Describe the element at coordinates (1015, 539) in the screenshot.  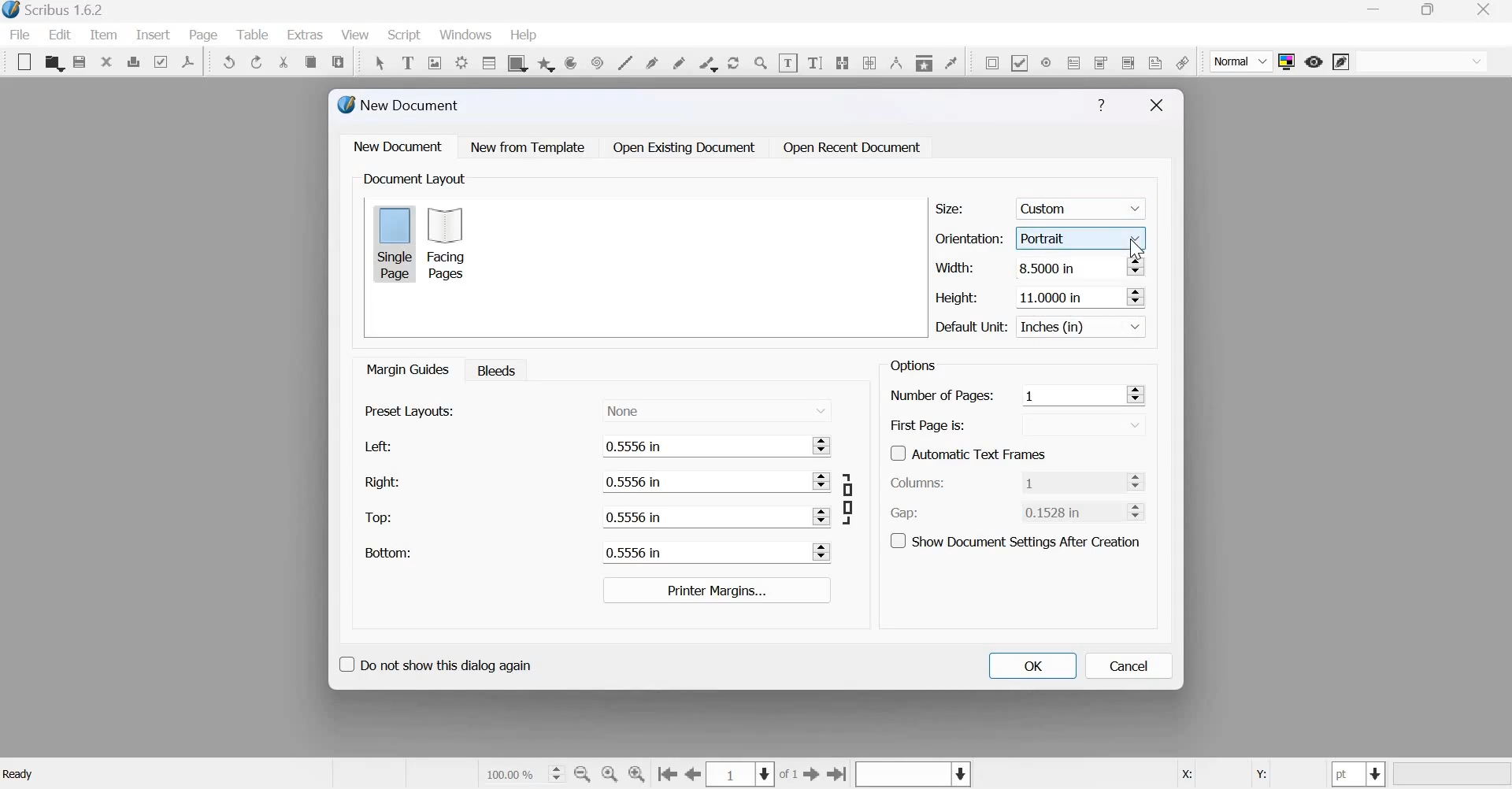
I see `Show document settings after creation` at that location.